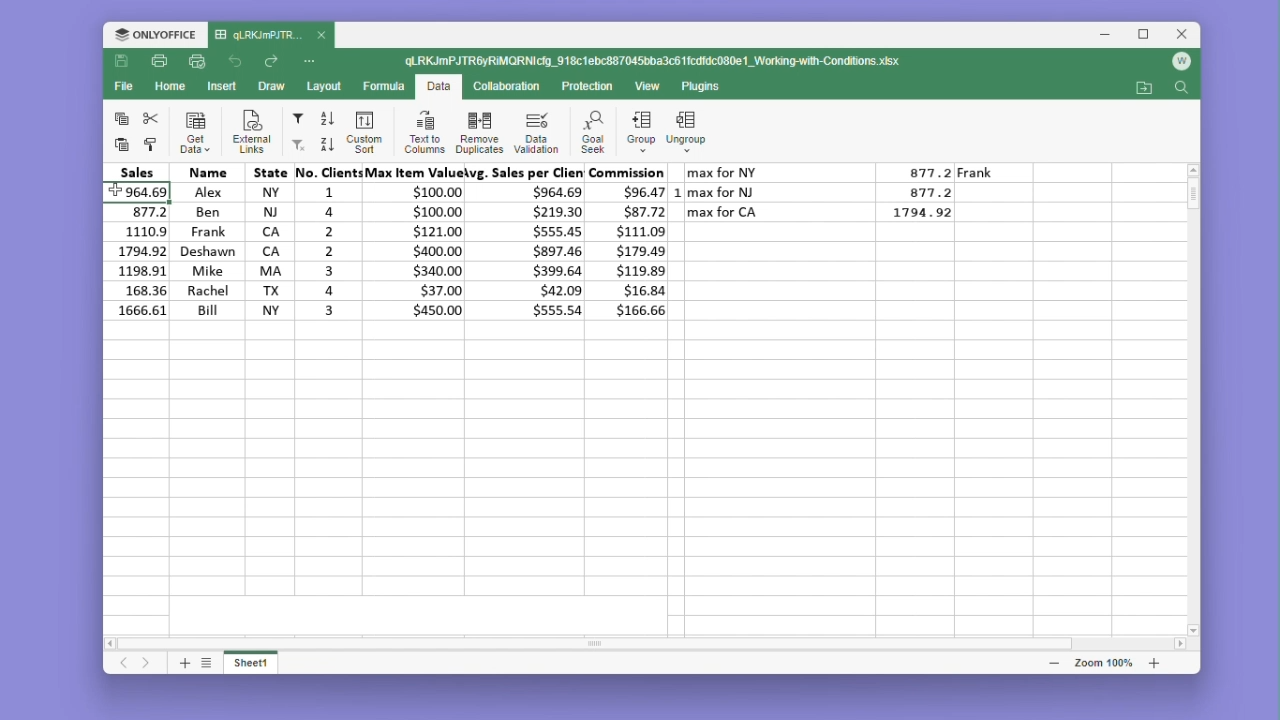 This screenshot has width=1280, height=720. What do you see at coordinates (438, 88) in the screenshot?
I see `Data` at bounding box center [438, 88].